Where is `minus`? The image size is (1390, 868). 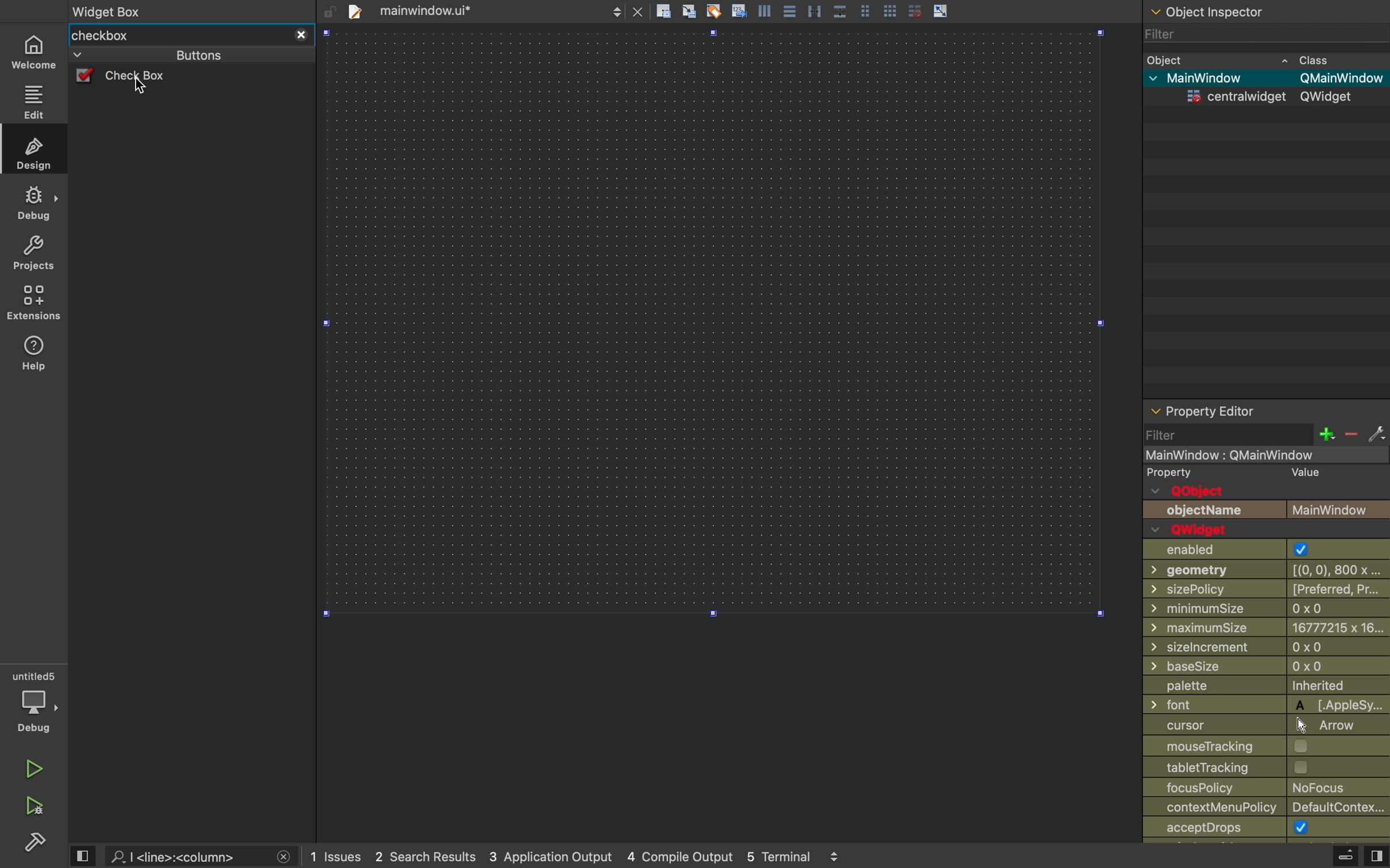 minus is located at coordinates (1350, 435).